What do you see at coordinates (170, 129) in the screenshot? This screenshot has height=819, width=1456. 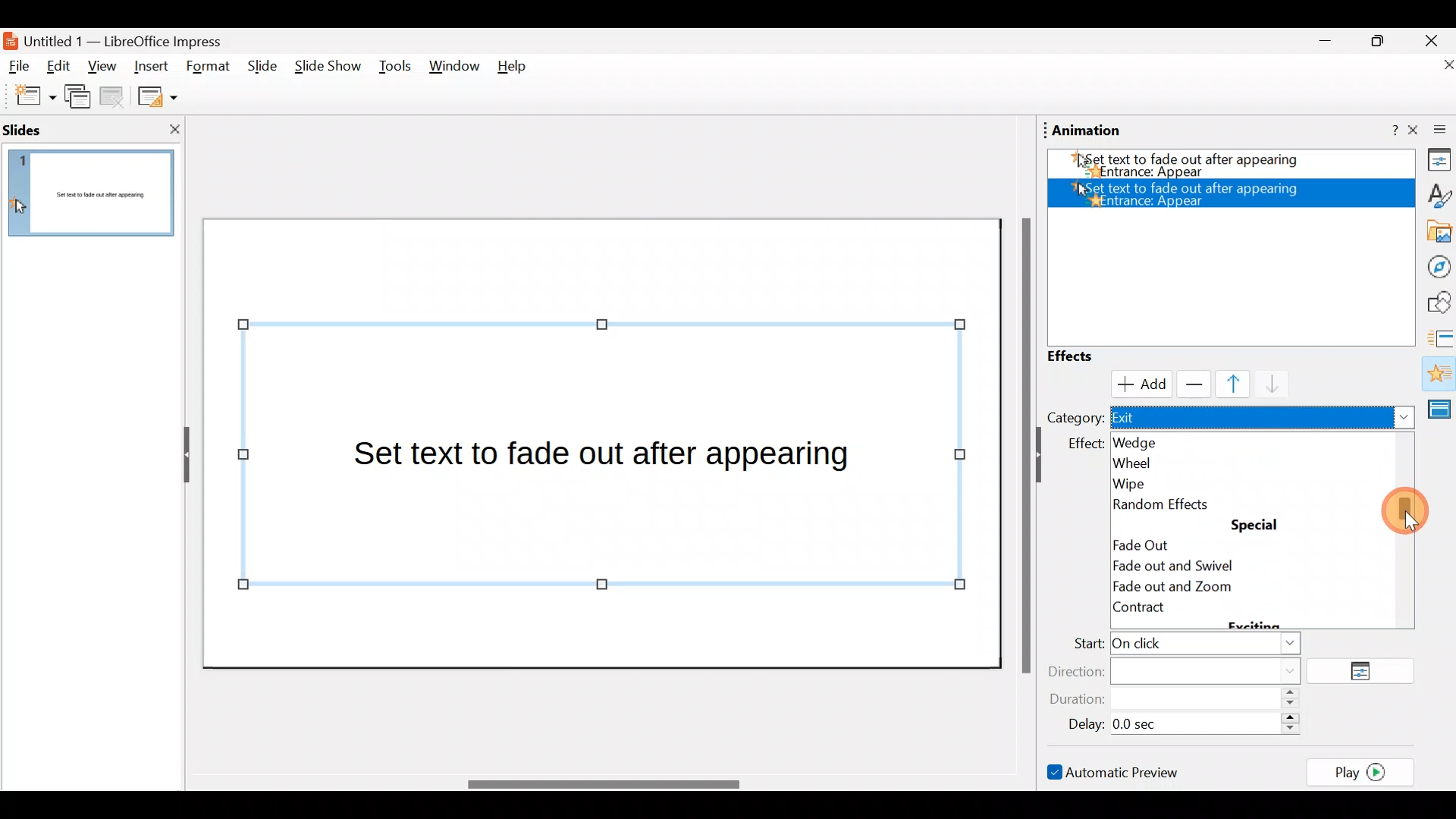 I see `Close slide pane` at bounding box center [170, 129].